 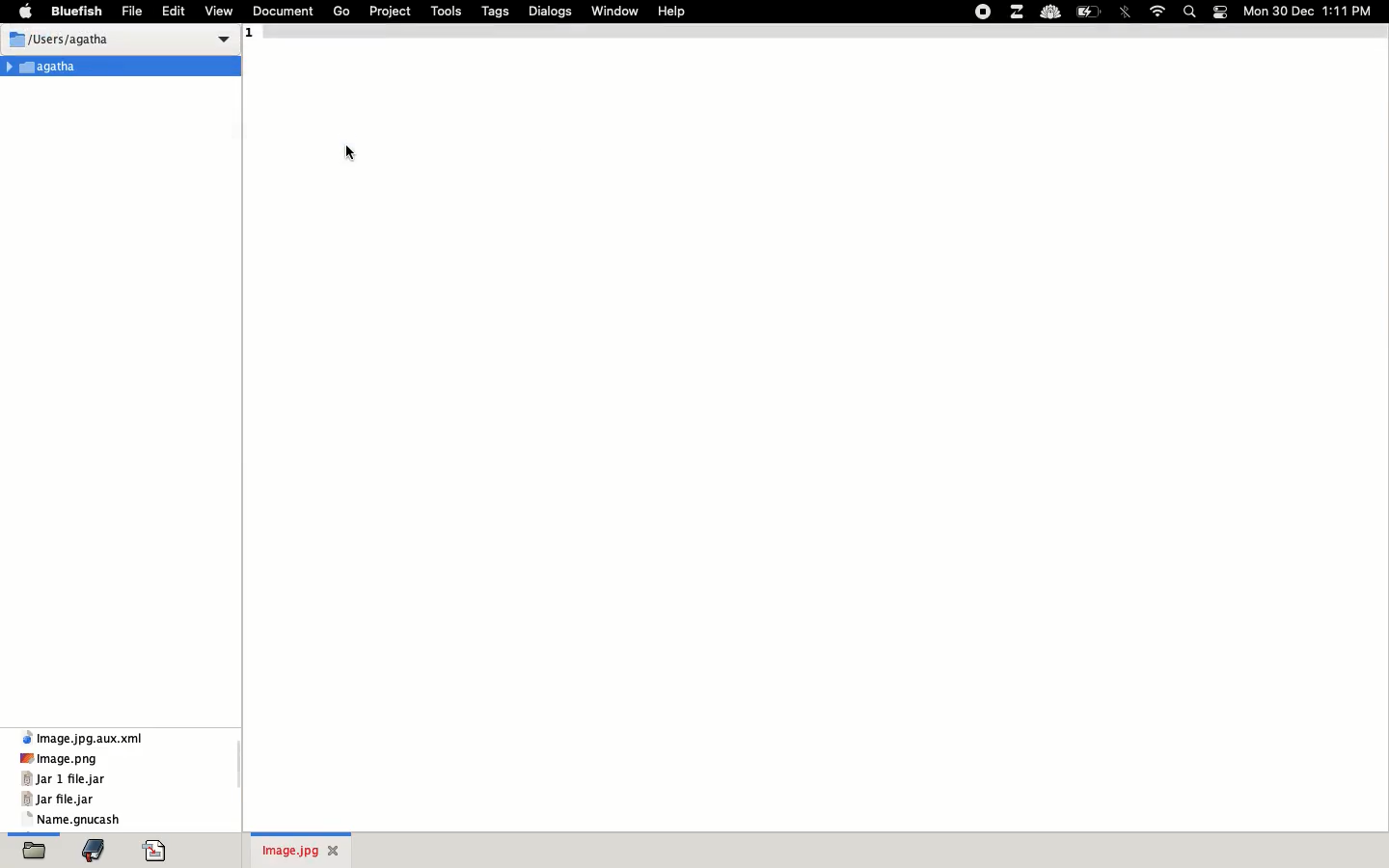 I want to click on bookmark, so click(x=98, y=852).